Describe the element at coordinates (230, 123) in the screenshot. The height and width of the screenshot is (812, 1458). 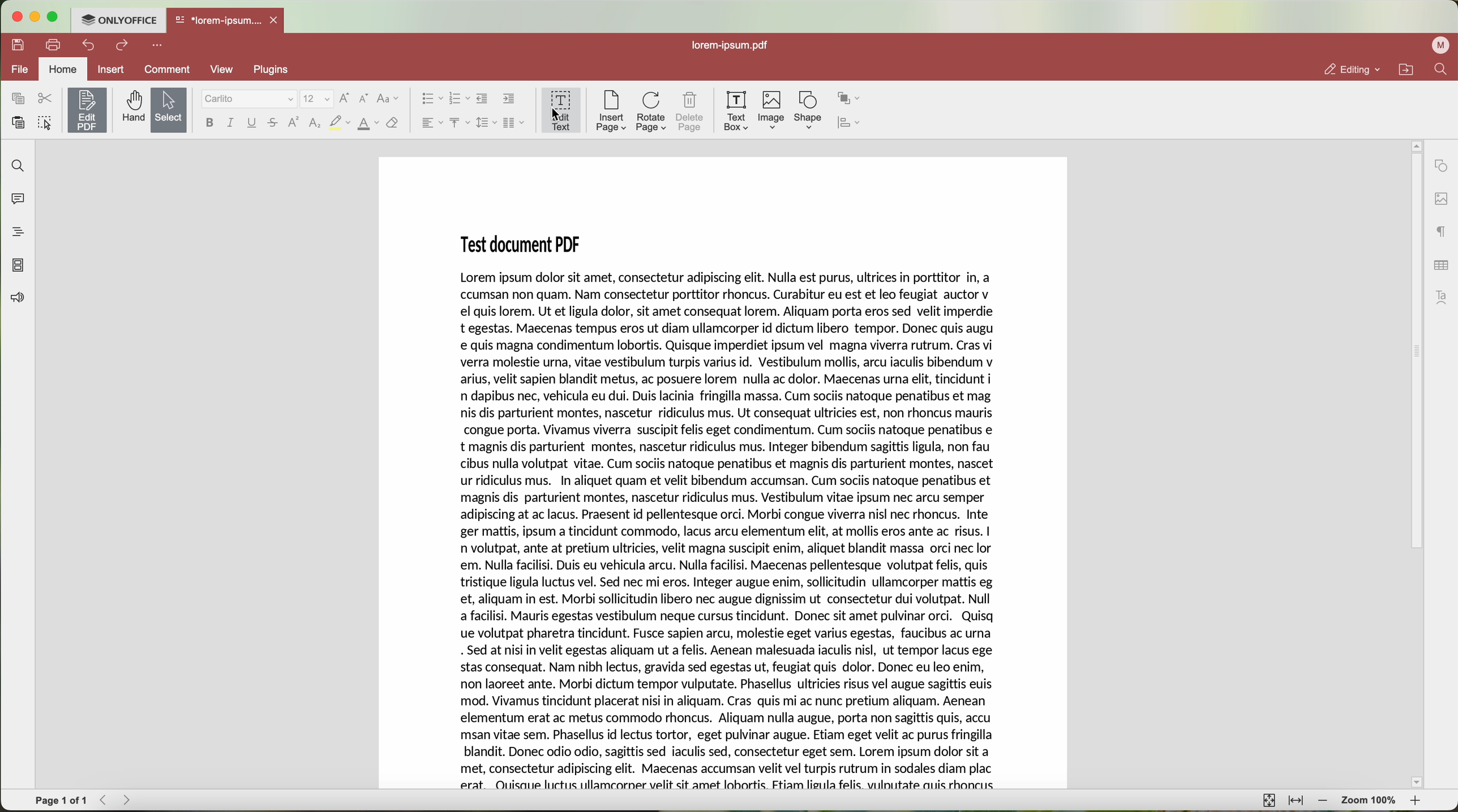
I see `italic` at that location.